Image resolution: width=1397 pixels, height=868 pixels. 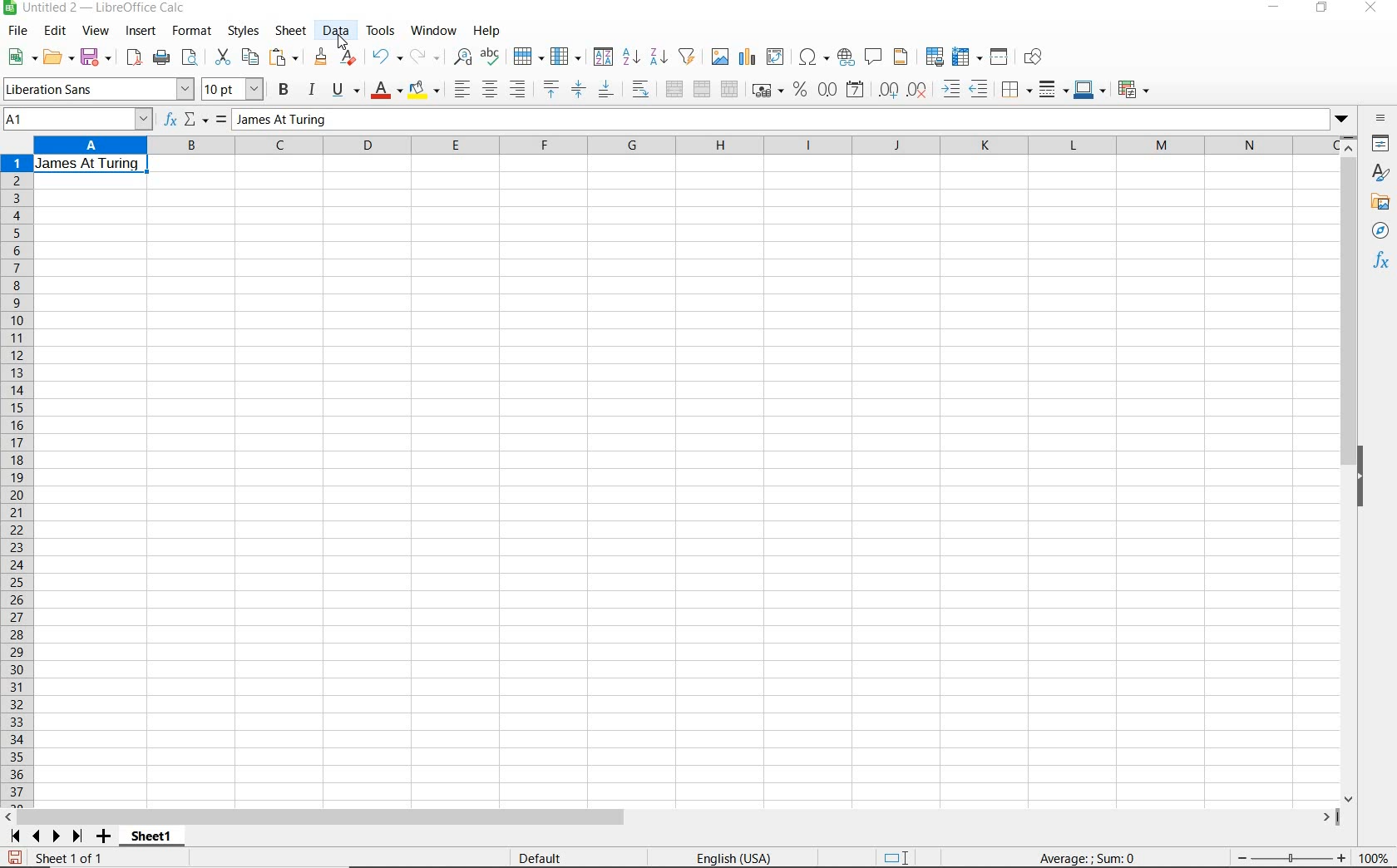 I want to click on formula, so click(x=220, y=121).